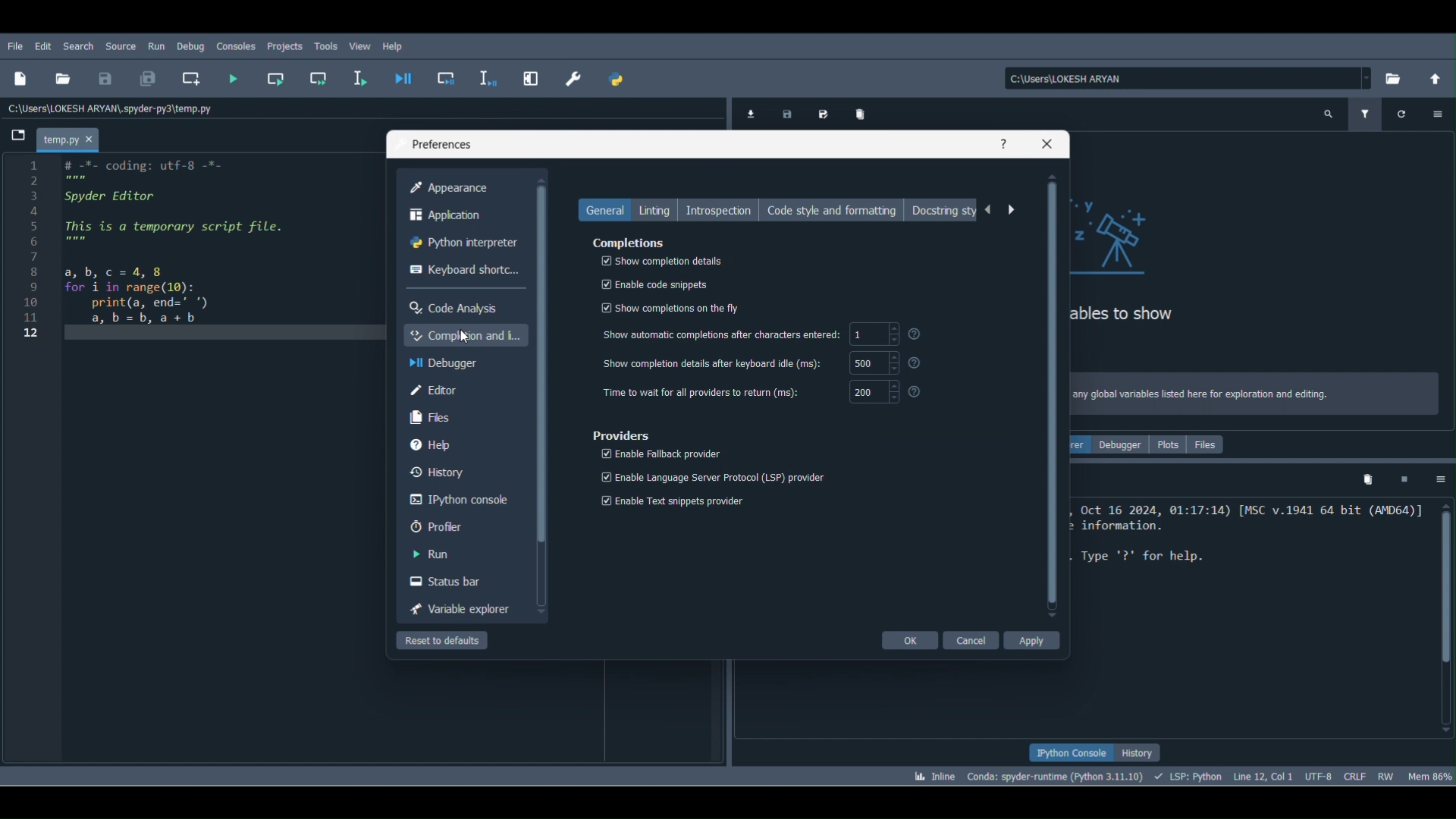 The height and width of the screenshot is (819, 1456). What do you see at coordinates (837, 209) in the screenshot?
I see `Code style and formatting` at bounding box center [837, 209].